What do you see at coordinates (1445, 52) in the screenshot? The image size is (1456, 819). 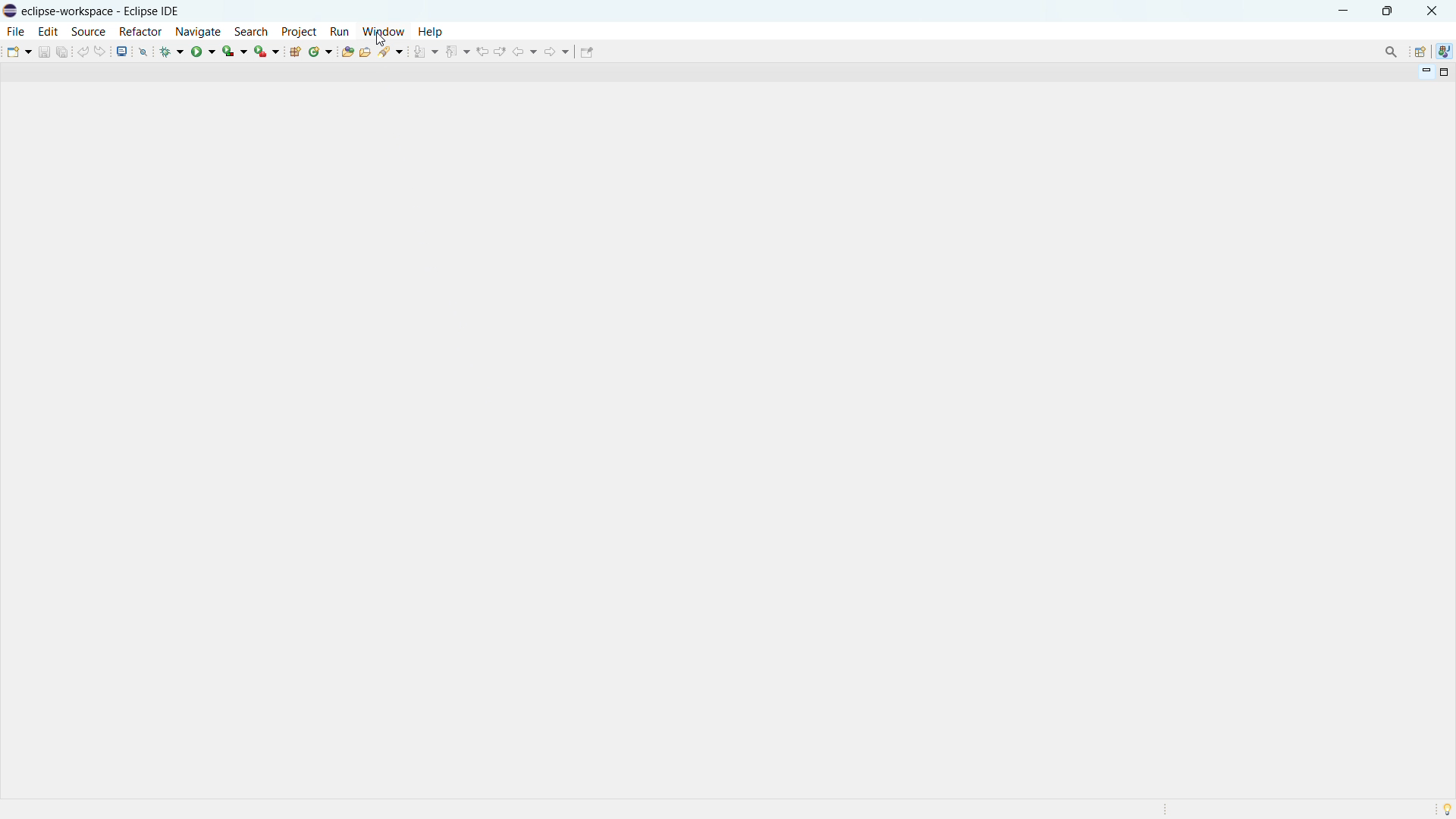 I see `java` at bounding box center [1445, 52].